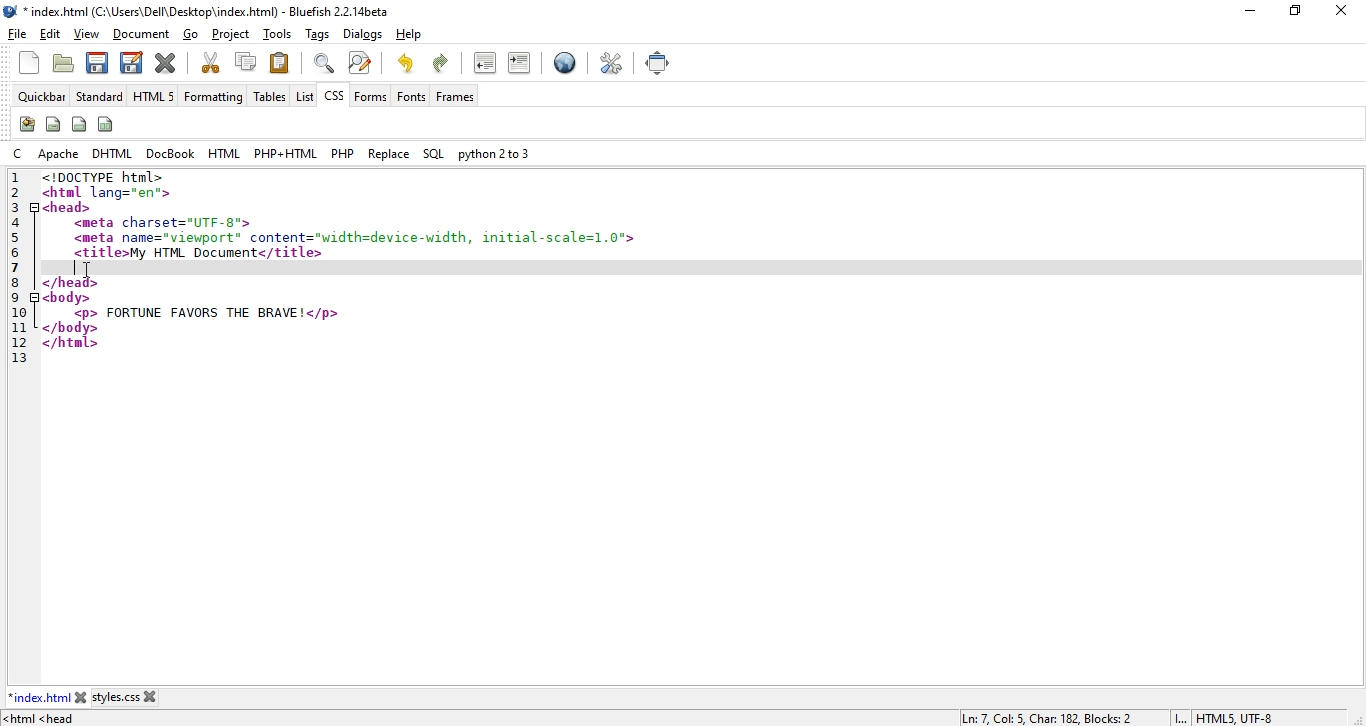  Describe the element at coordinates (324, 62) in the screenshot. I see `show find bar` at that location.